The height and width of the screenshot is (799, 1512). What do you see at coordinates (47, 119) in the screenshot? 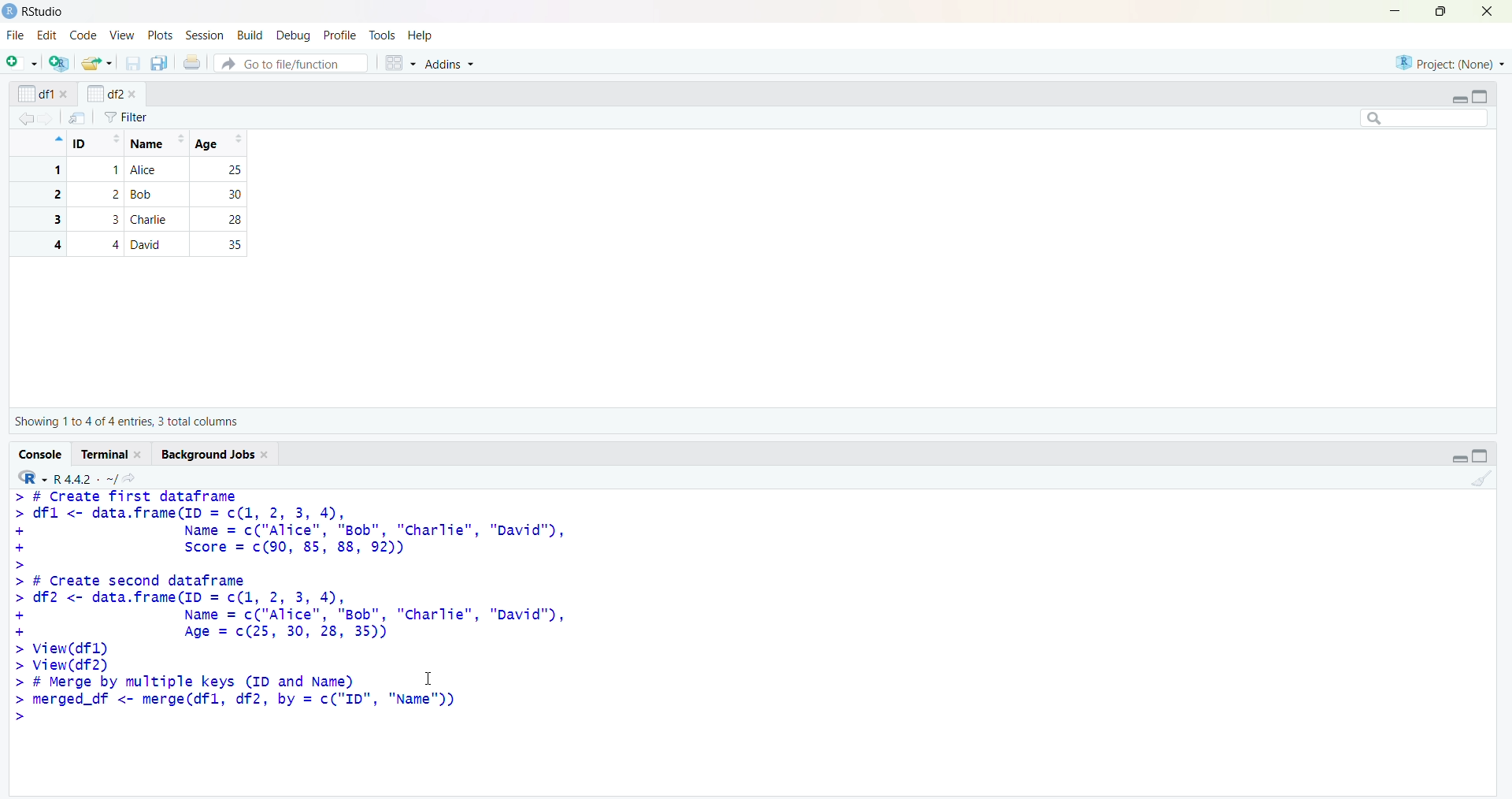
I see `forward` at bounding box center [47, 119].